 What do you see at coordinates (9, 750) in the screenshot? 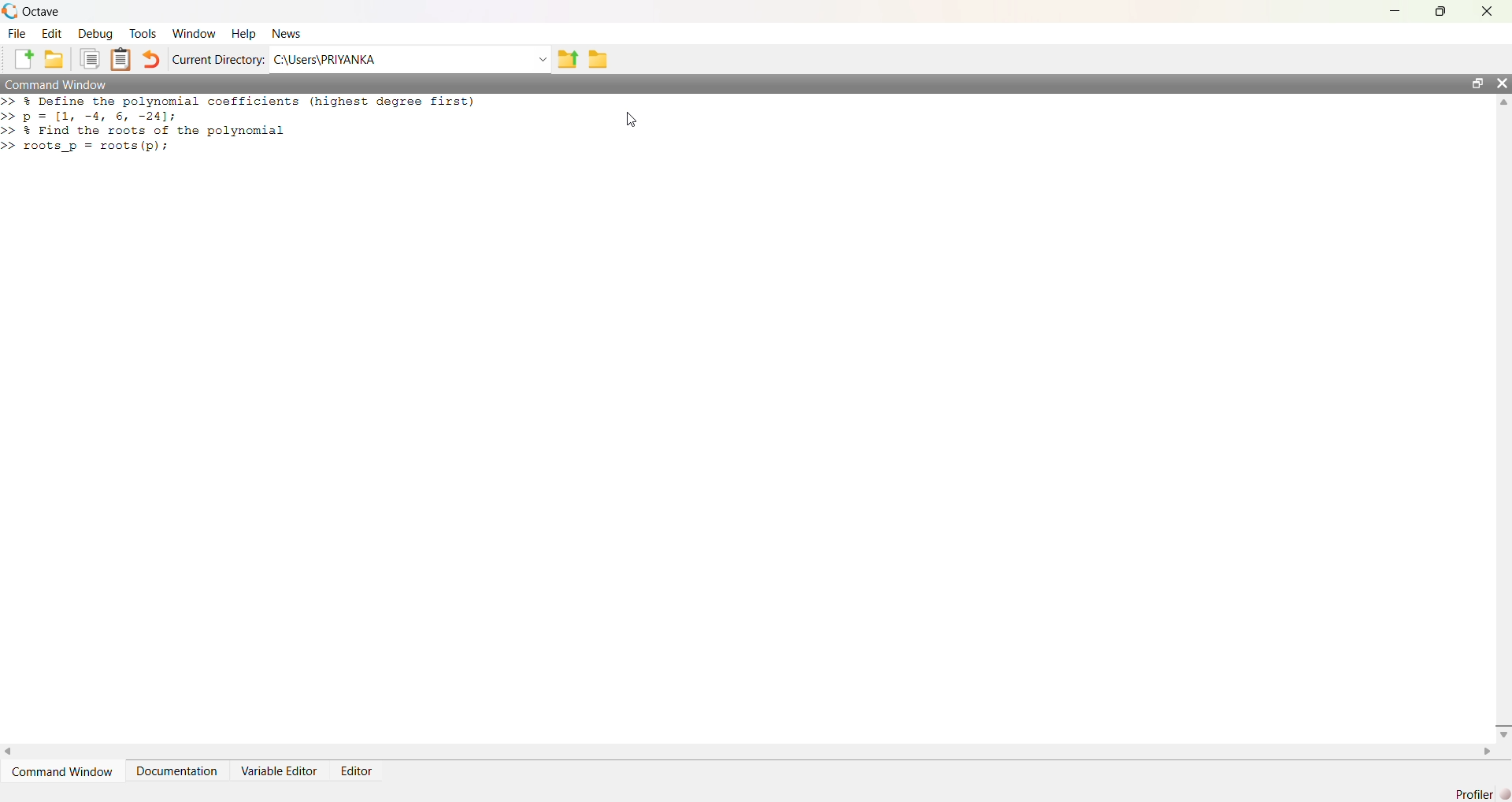
I see `Left Scroll` at bounding box center [9, 750].